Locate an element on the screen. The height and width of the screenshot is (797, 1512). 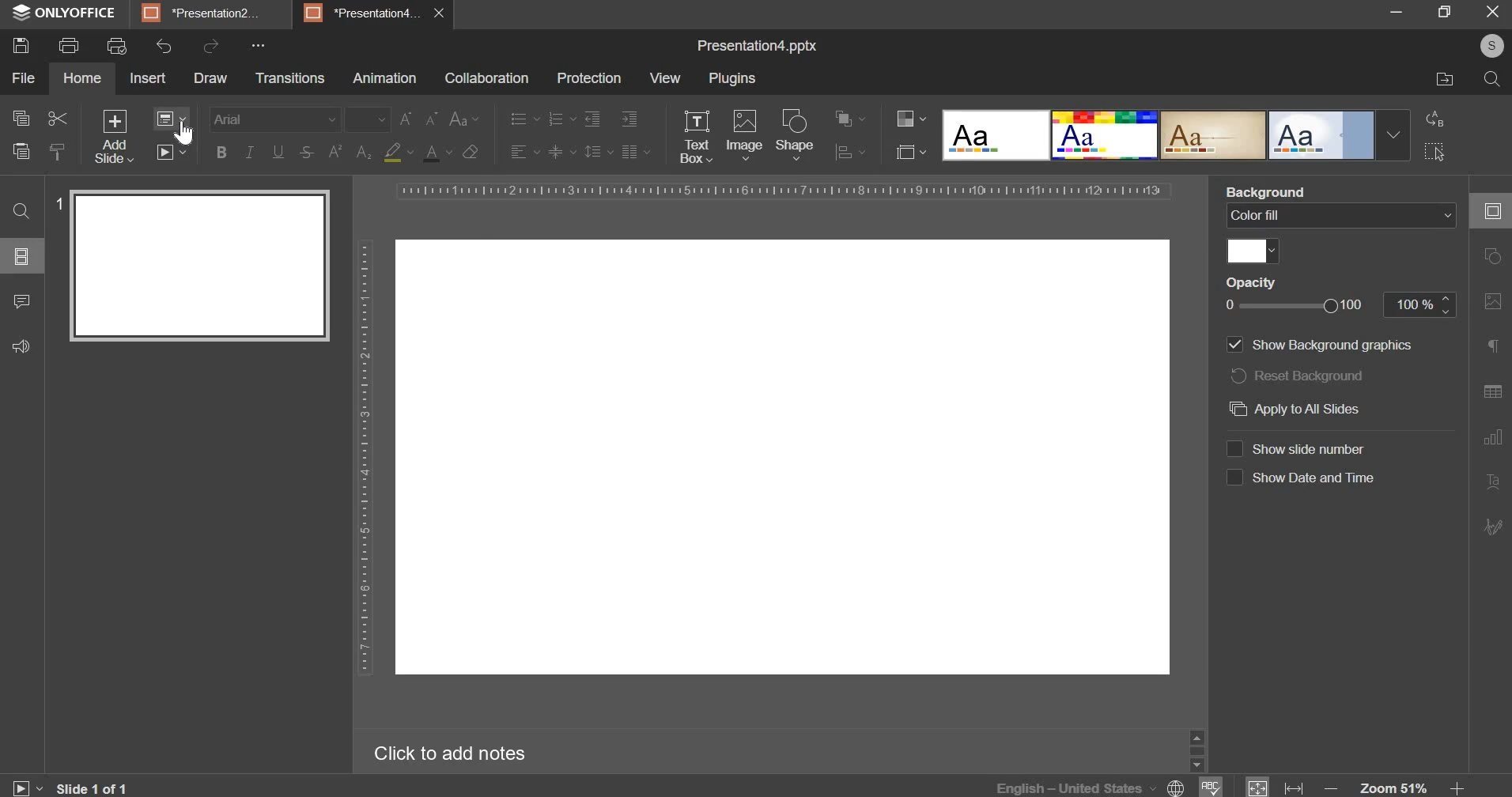
close presentation4 is located at coordinates (444, 13).